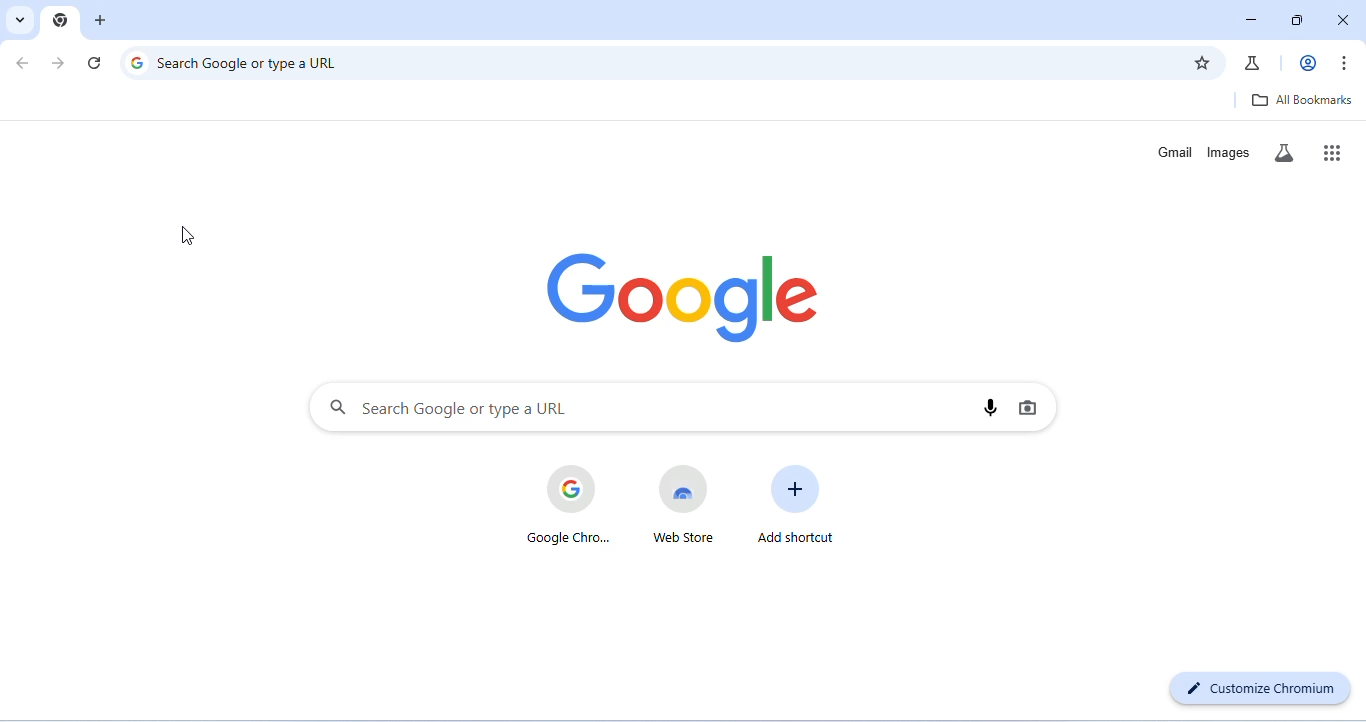 This screenshot has height=722, width=1366. I want to click on go forward, so click(61, 63).